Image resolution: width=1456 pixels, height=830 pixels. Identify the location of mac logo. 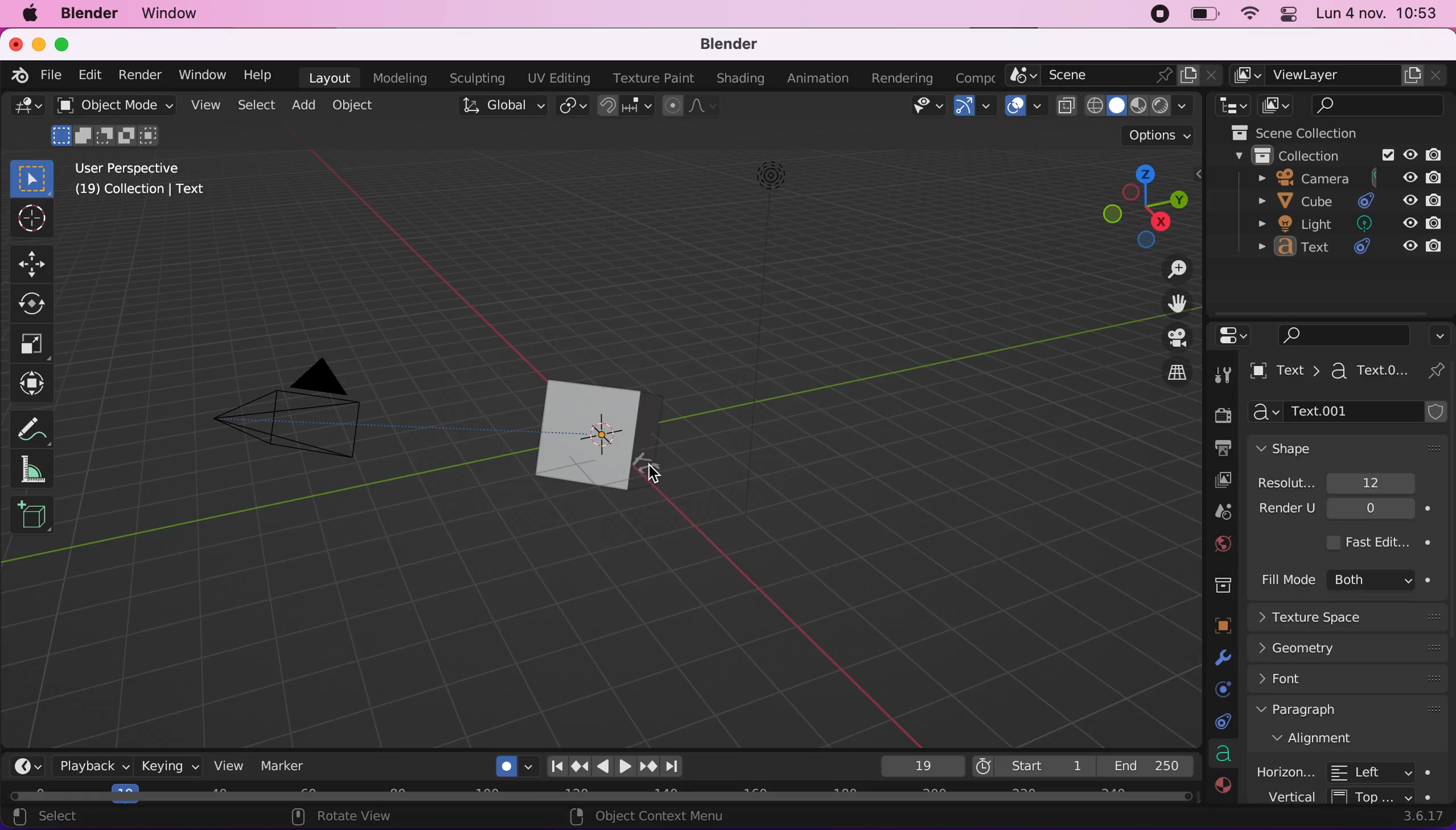
(34, 16).